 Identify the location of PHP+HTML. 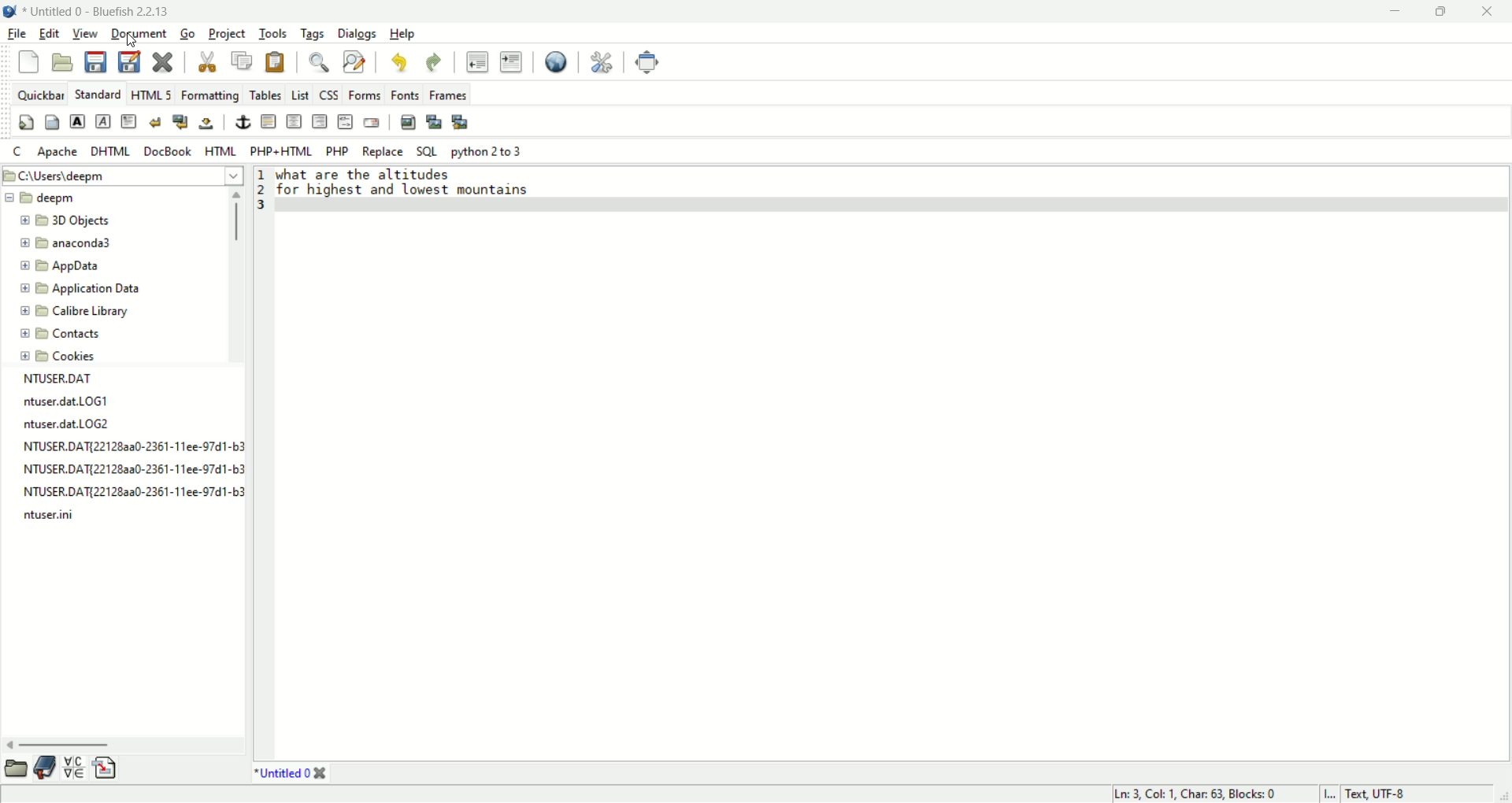
(280, 150).